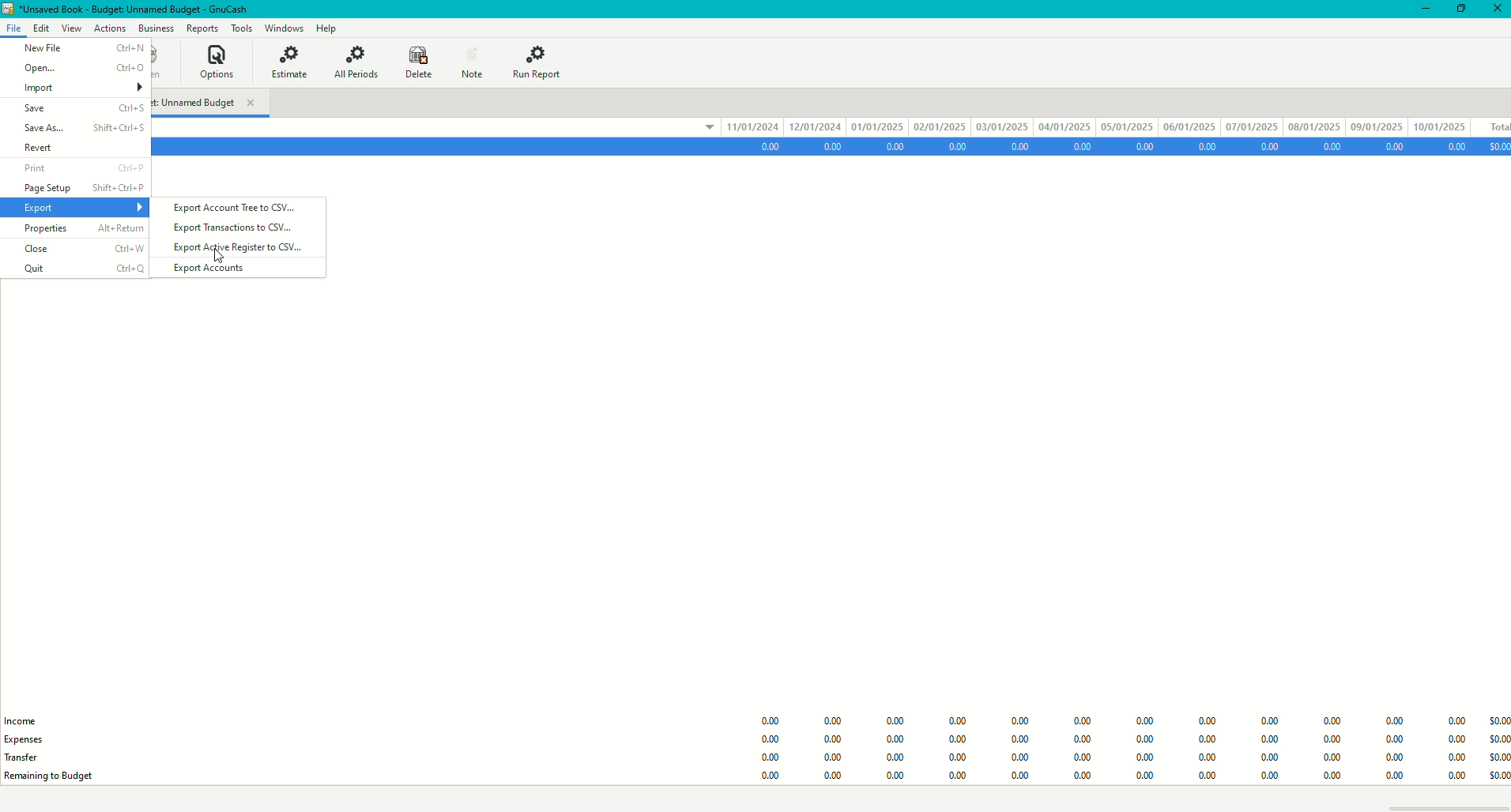 Image resolution: width=1511 pixels, height=812 pixels. I want to click on All Periods, so click(354, 60).